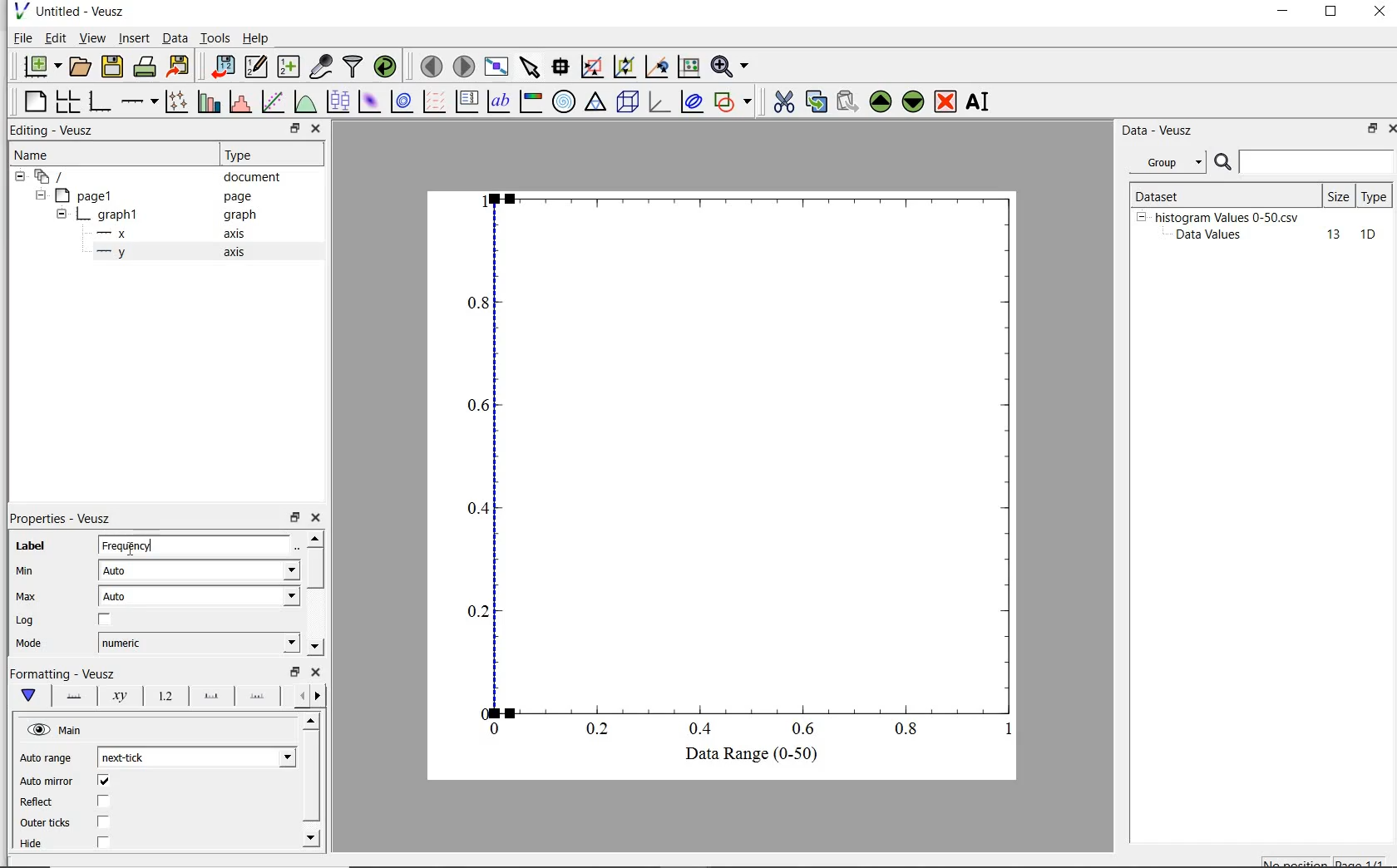 The image size is (1397, 868). I want to click on zoom functions menu, so click(730, 67).